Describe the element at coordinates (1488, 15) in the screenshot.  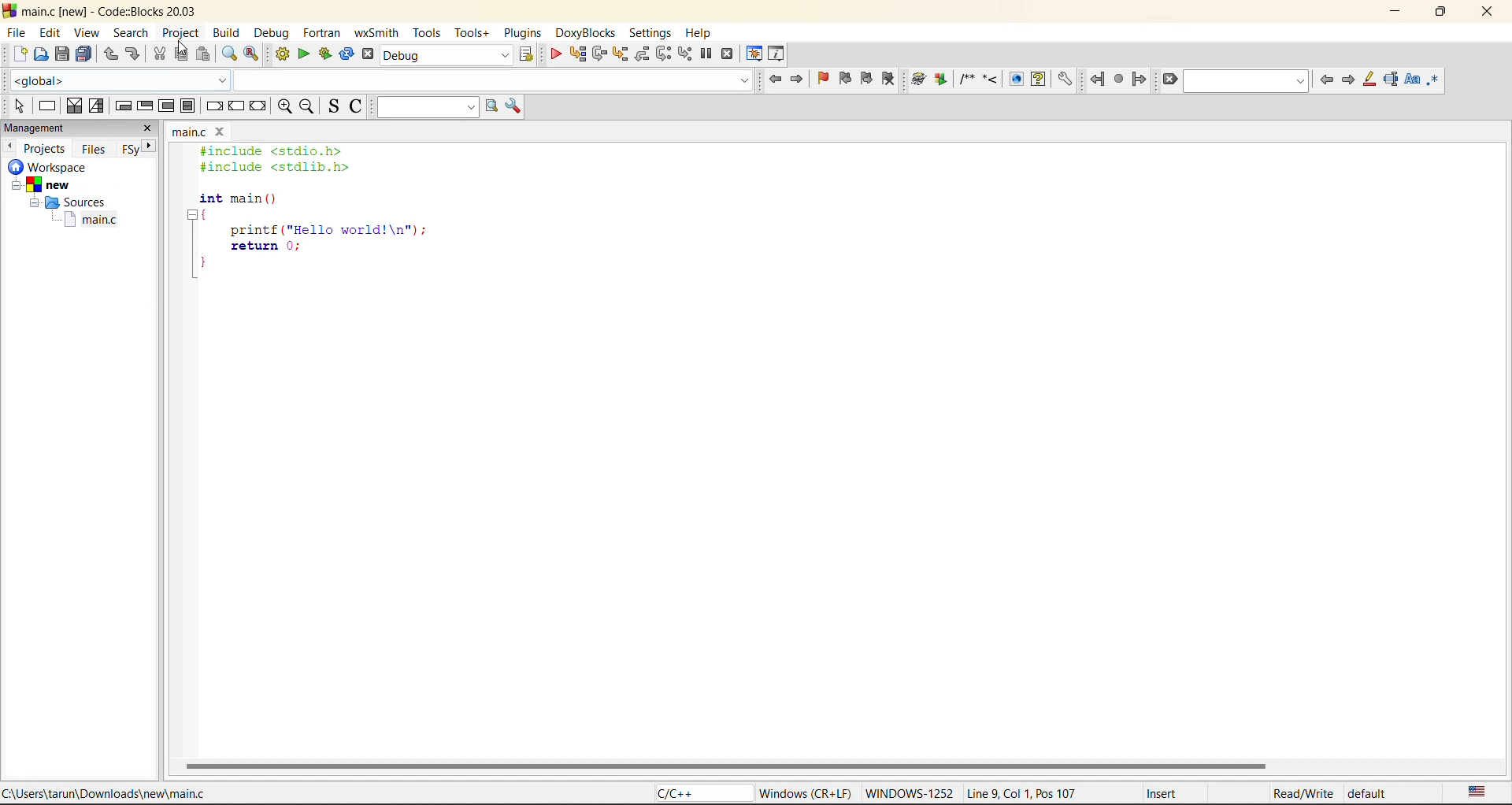
I see `close` at that location.